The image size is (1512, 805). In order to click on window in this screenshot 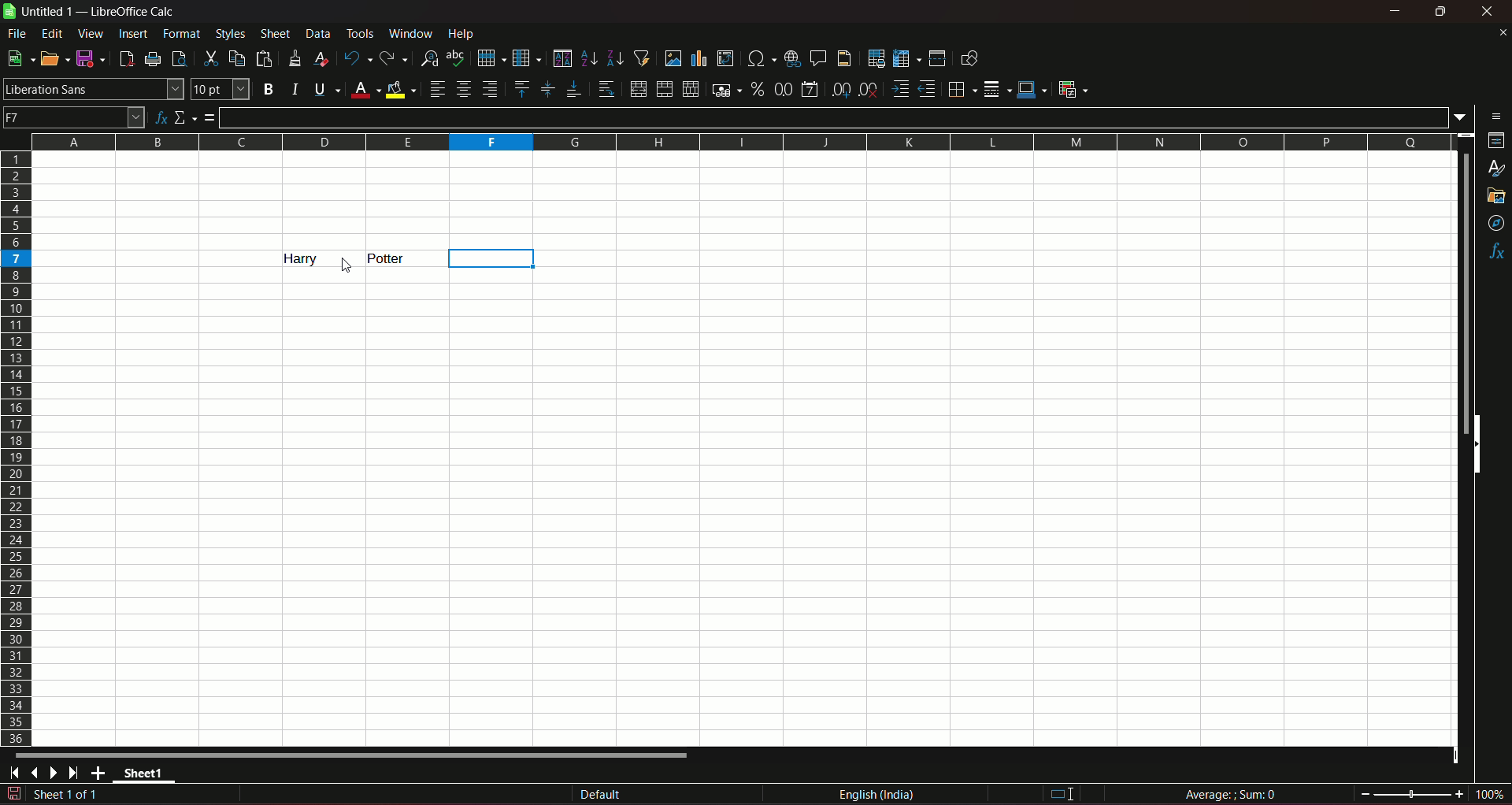, I will do `click(413, 34)`.